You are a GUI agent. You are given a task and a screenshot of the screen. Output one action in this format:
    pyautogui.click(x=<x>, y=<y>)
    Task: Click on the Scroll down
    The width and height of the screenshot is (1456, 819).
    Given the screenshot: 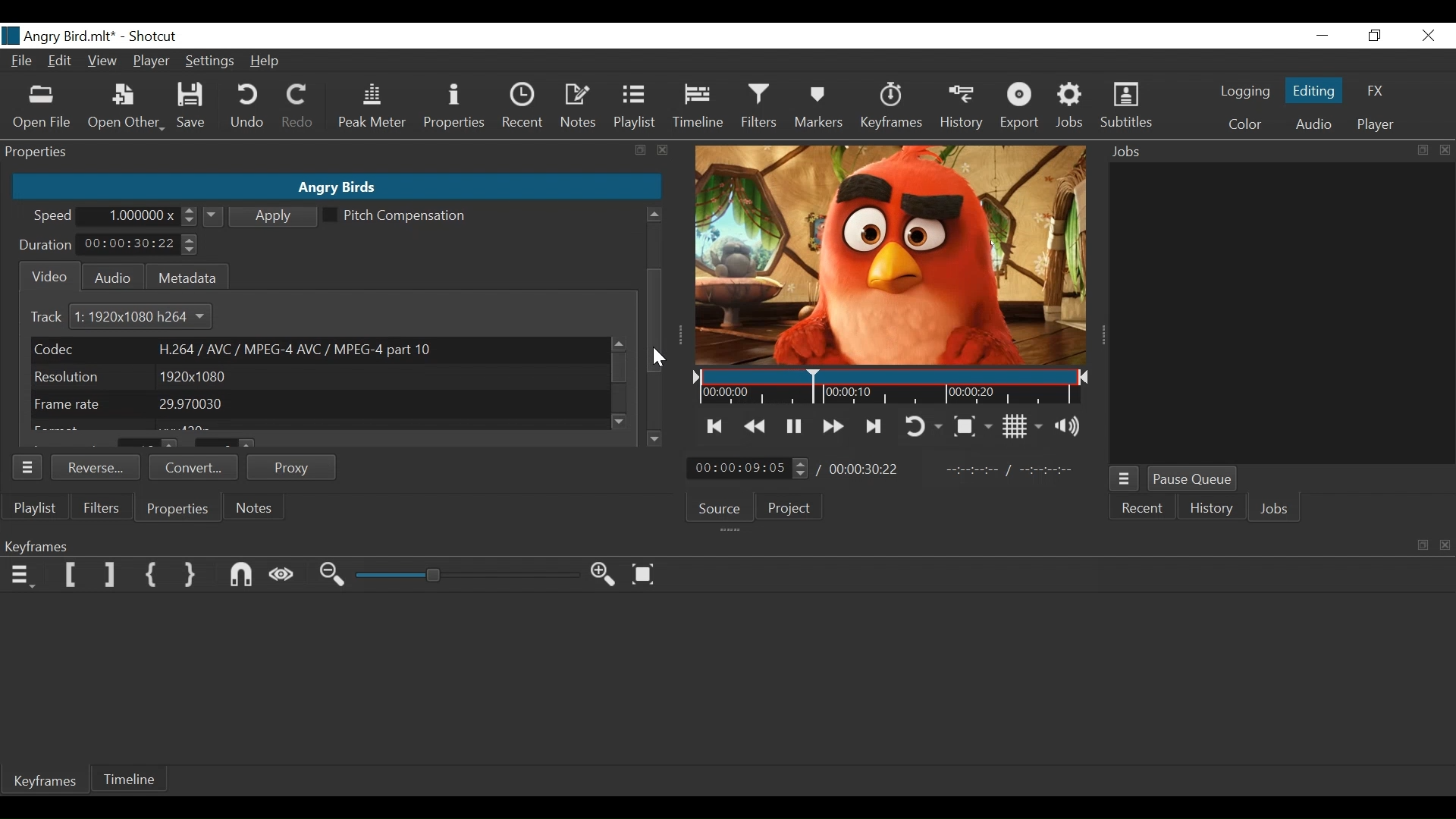 What is the action you would take?
    pyautogui.click(x=654, y=438)
    